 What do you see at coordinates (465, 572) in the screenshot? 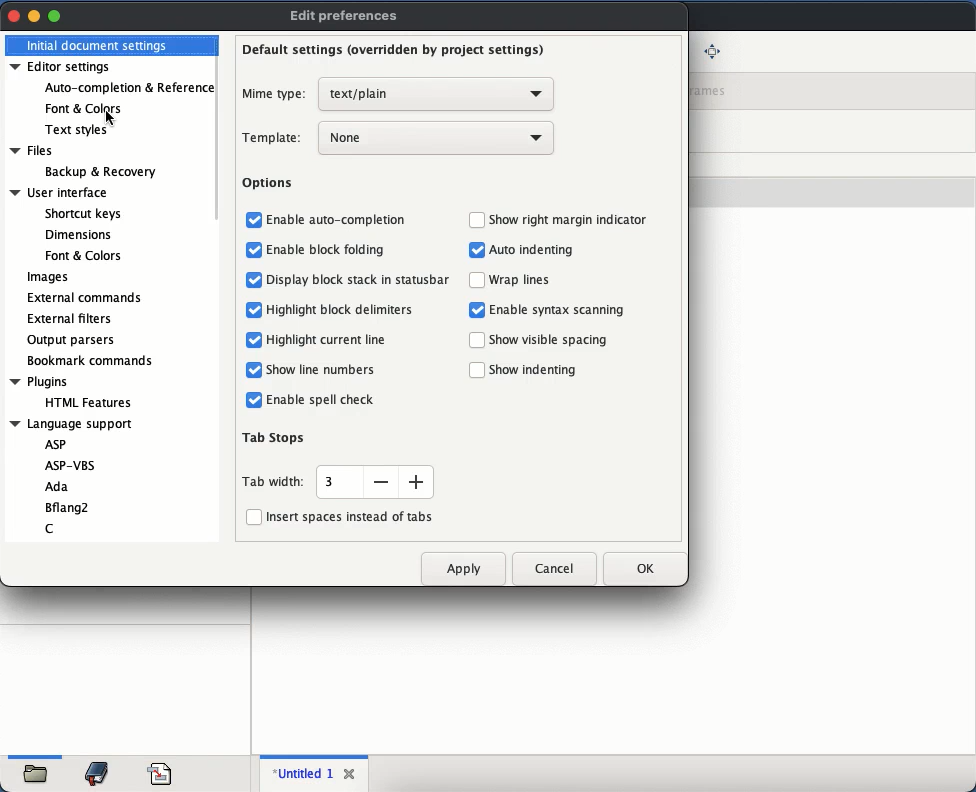
I see `apply` at bounding box center [465, 572].